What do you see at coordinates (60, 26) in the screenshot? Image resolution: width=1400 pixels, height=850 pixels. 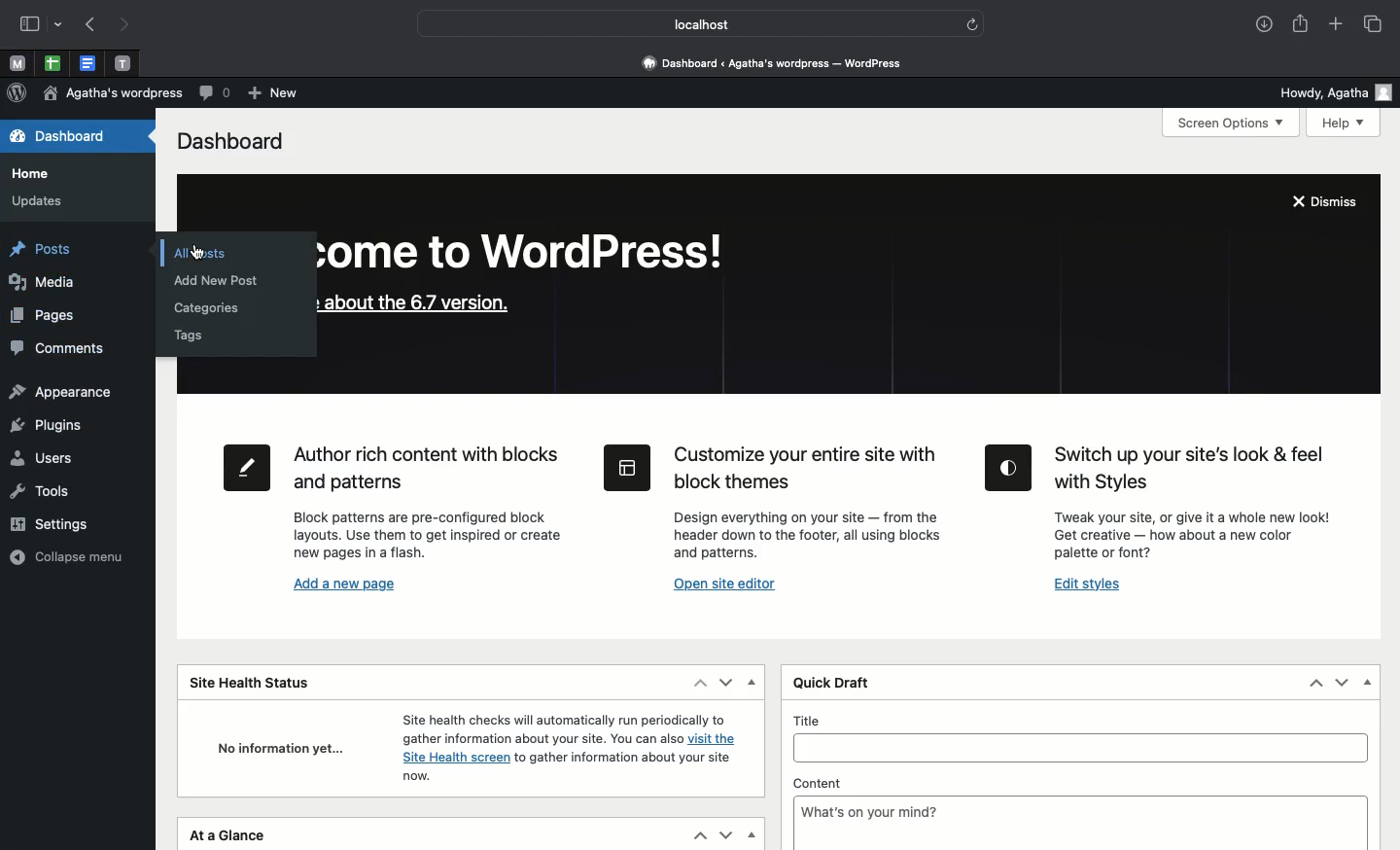 I see `drop-down` at bounding box center [60, 26].